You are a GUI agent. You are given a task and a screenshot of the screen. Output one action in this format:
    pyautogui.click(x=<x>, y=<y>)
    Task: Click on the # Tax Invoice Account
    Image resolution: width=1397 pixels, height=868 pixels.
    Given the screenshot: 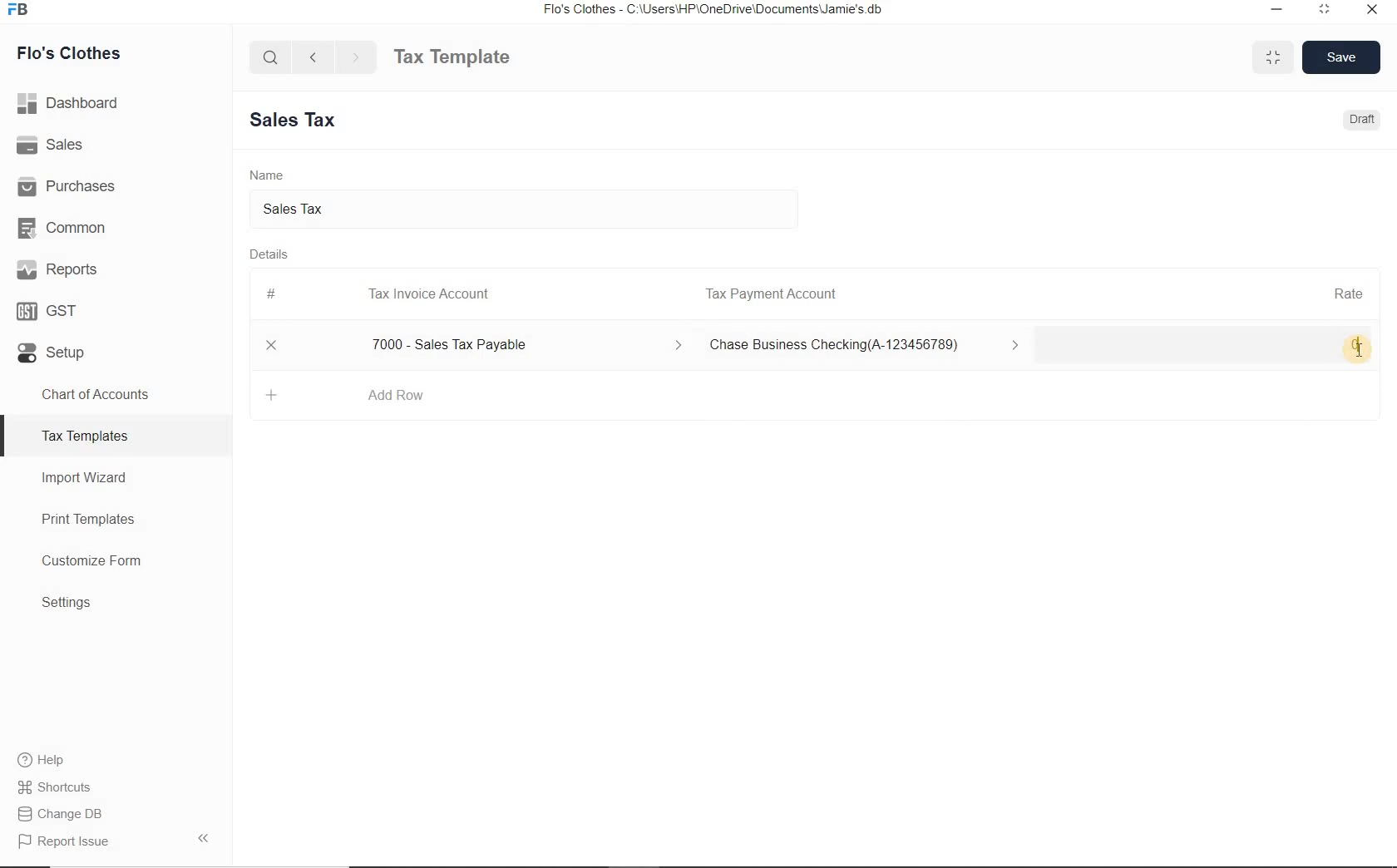 What is the action you would take?
    pyautogui.click(x=380, y=295)
    